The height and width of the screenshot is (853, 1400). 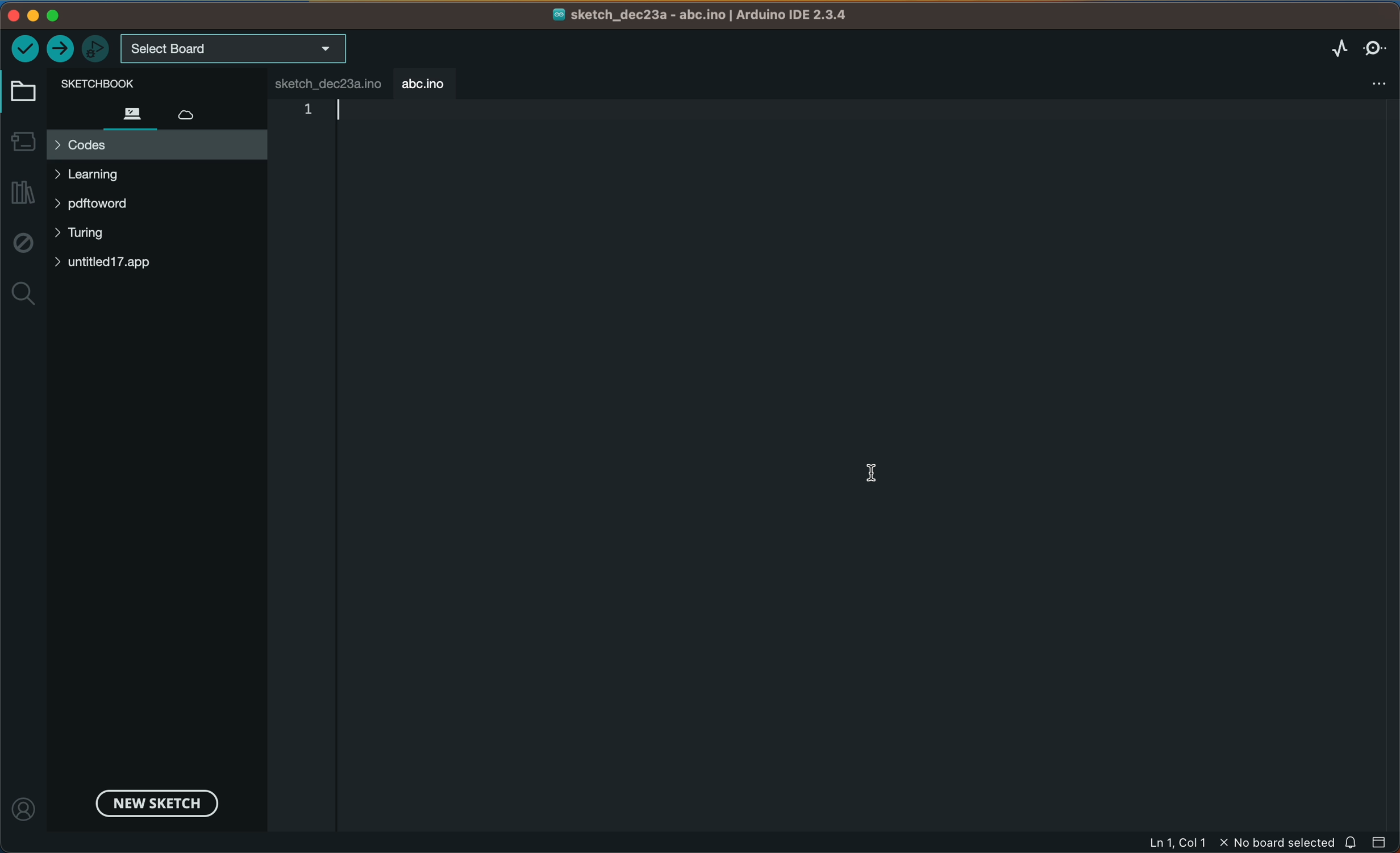 What do you see at coordinates (880, 473) in the screenshot?
I see `cursor` at bounding box center [880, 473].